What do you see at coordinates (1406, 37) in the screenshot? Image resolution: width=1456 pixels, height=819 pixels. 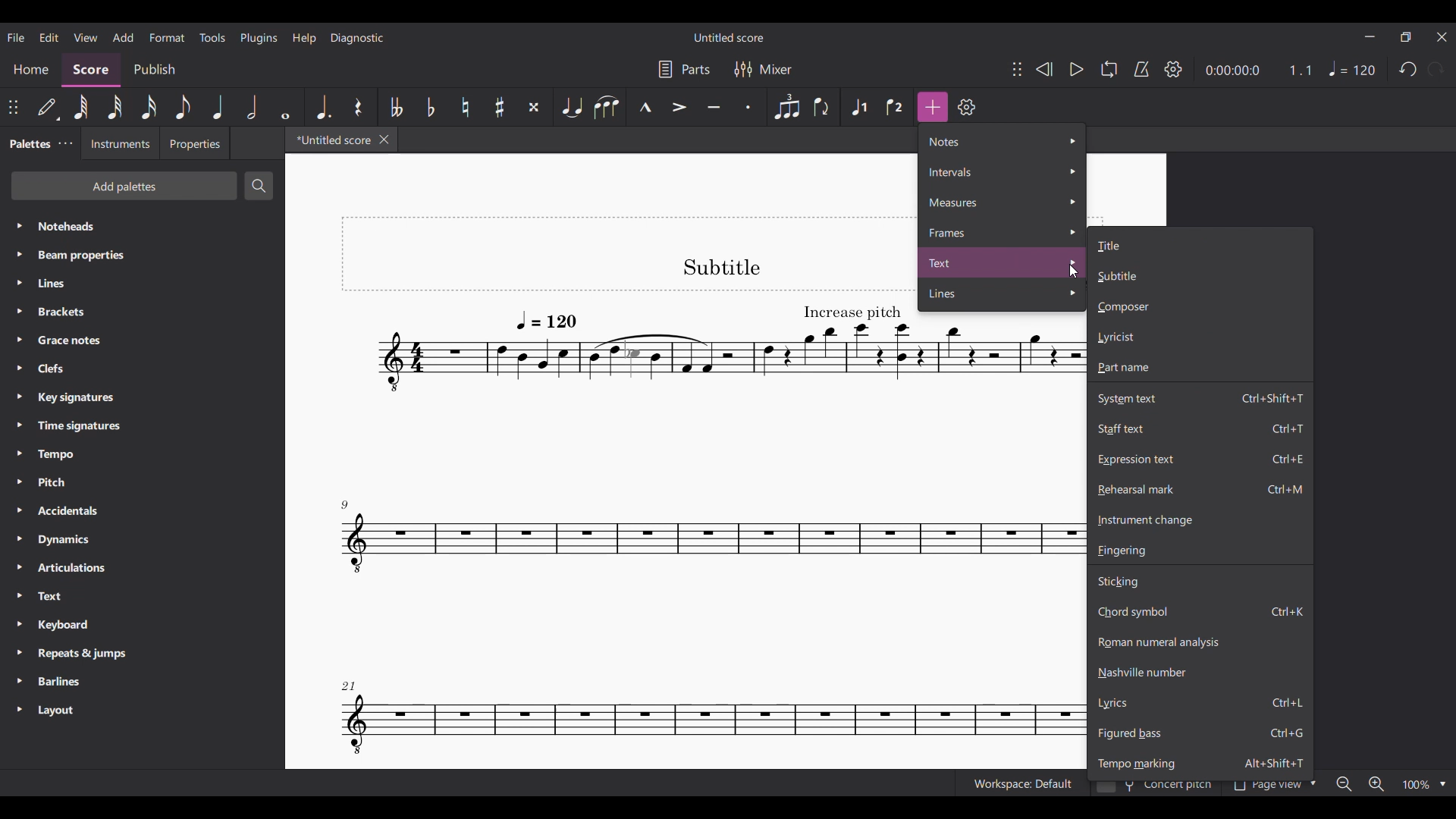 I see `Show in smaller tab` at bounding box center [1406, 37].